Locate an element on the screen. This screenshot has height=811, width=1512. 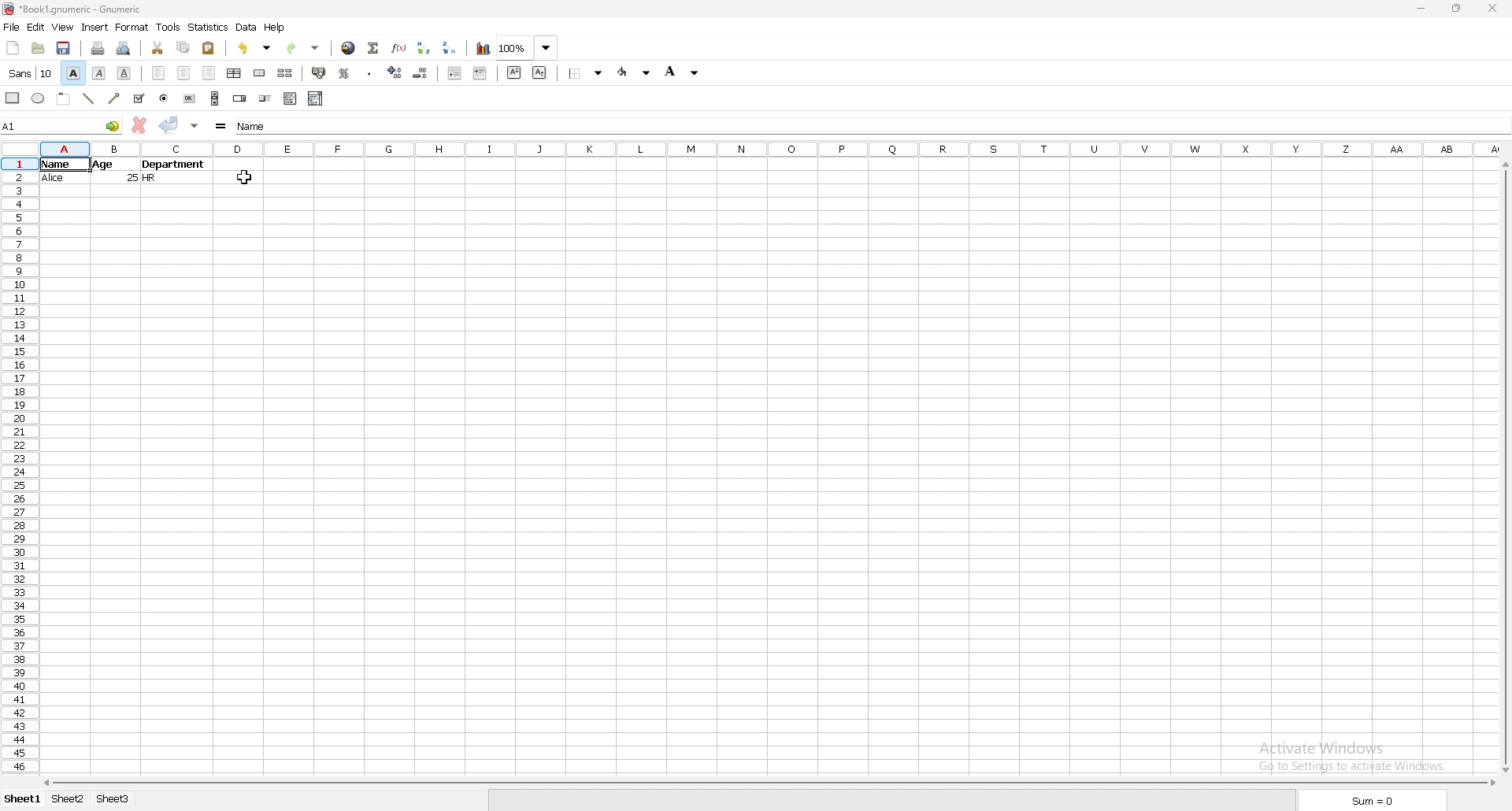
undo is located at coordinates (257, 48).